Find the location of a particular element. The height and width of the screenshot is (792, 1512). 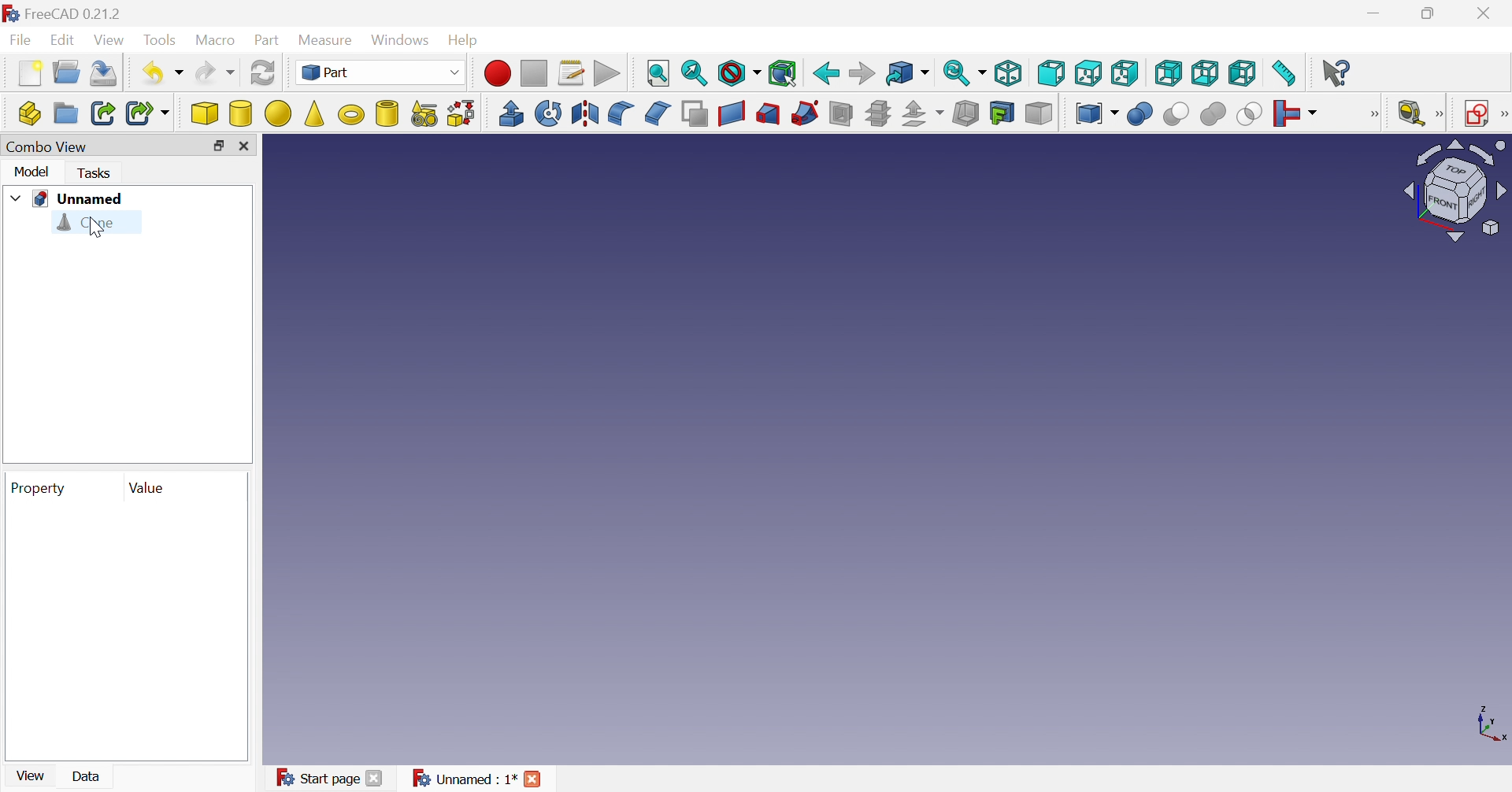

Create is located at coordinates (387, 112).